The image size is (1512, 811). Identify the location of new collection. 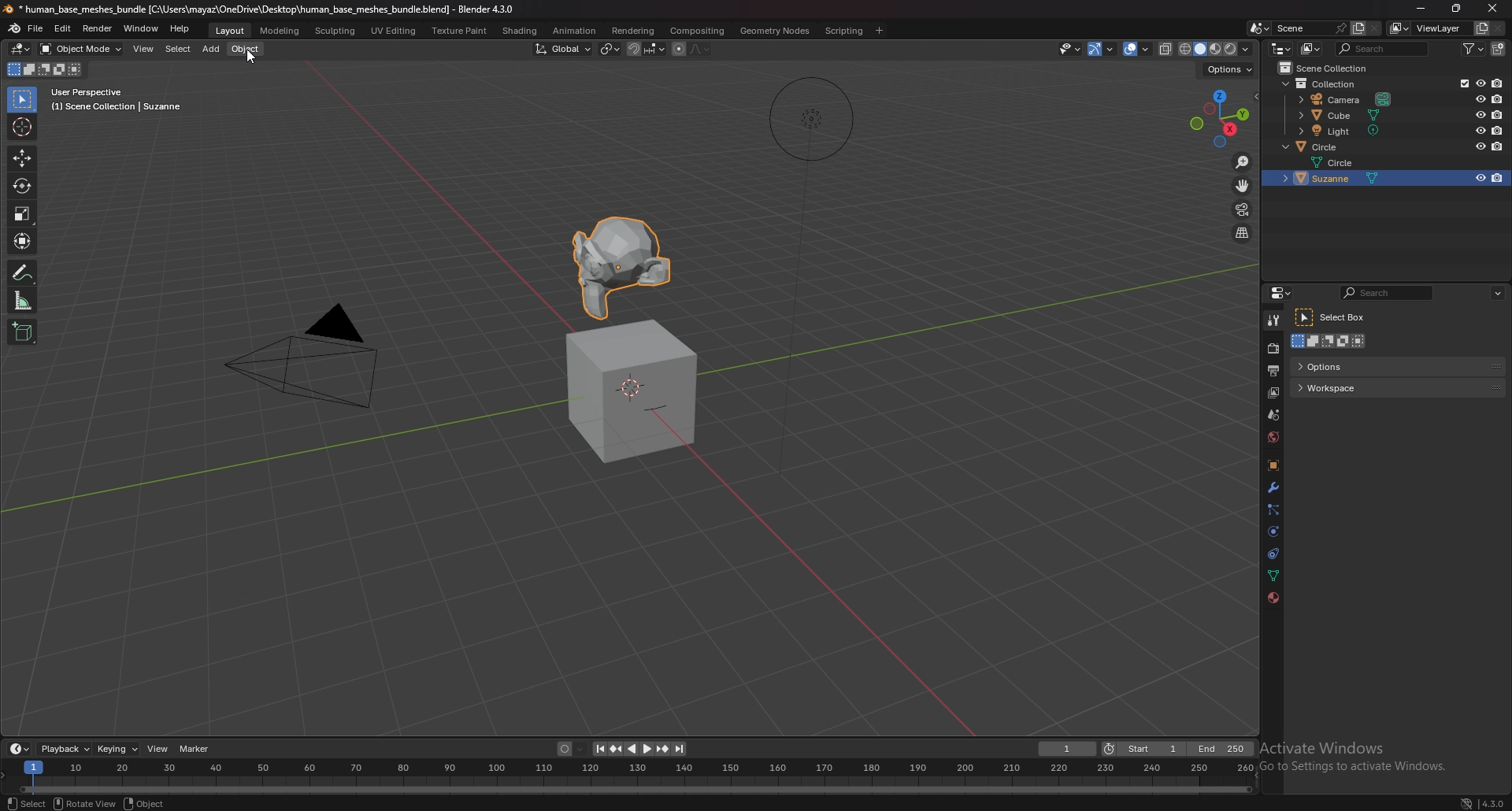
(1497, 49).